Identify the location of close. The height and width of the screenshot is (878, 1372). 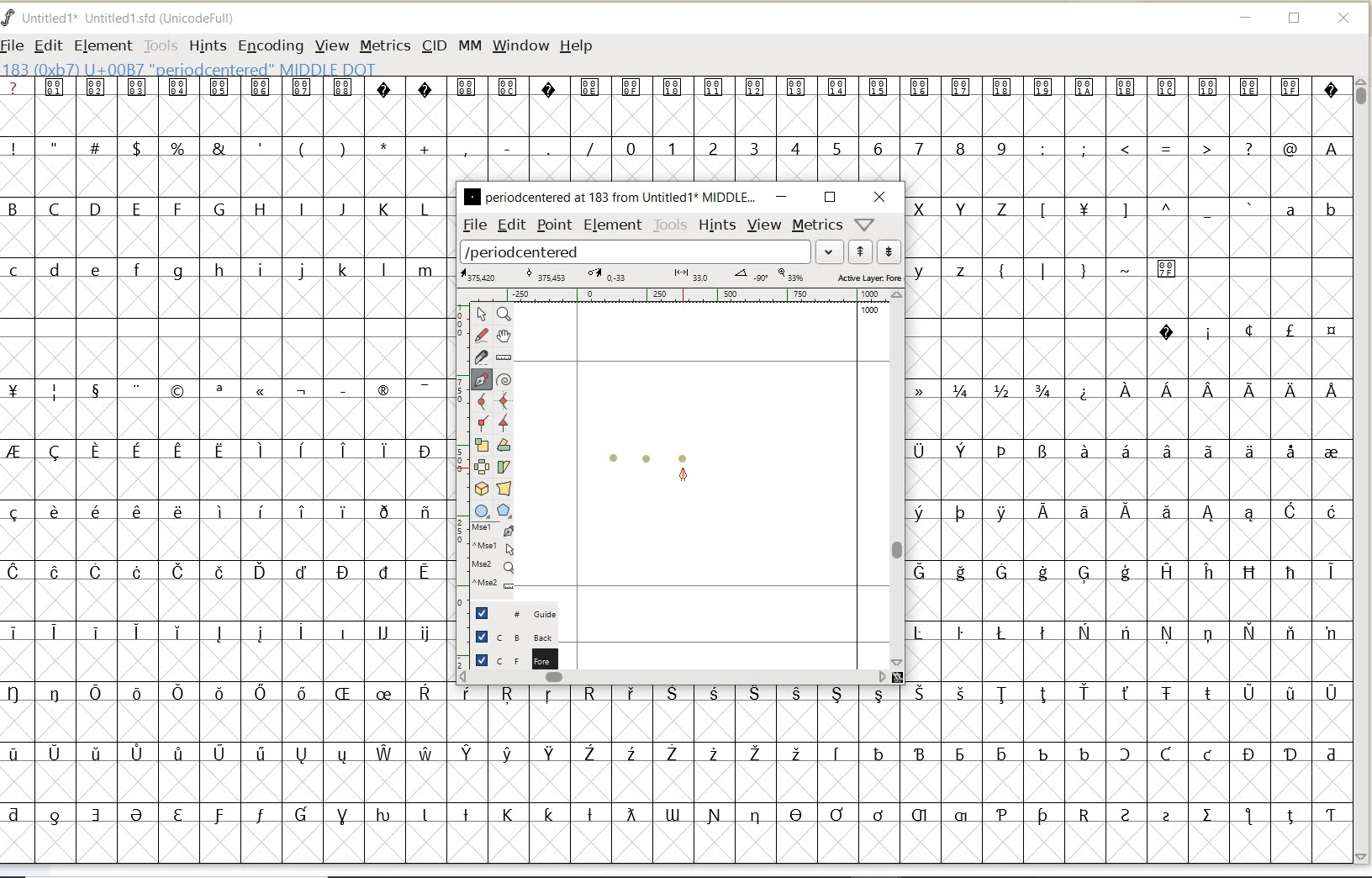
(879, 197).